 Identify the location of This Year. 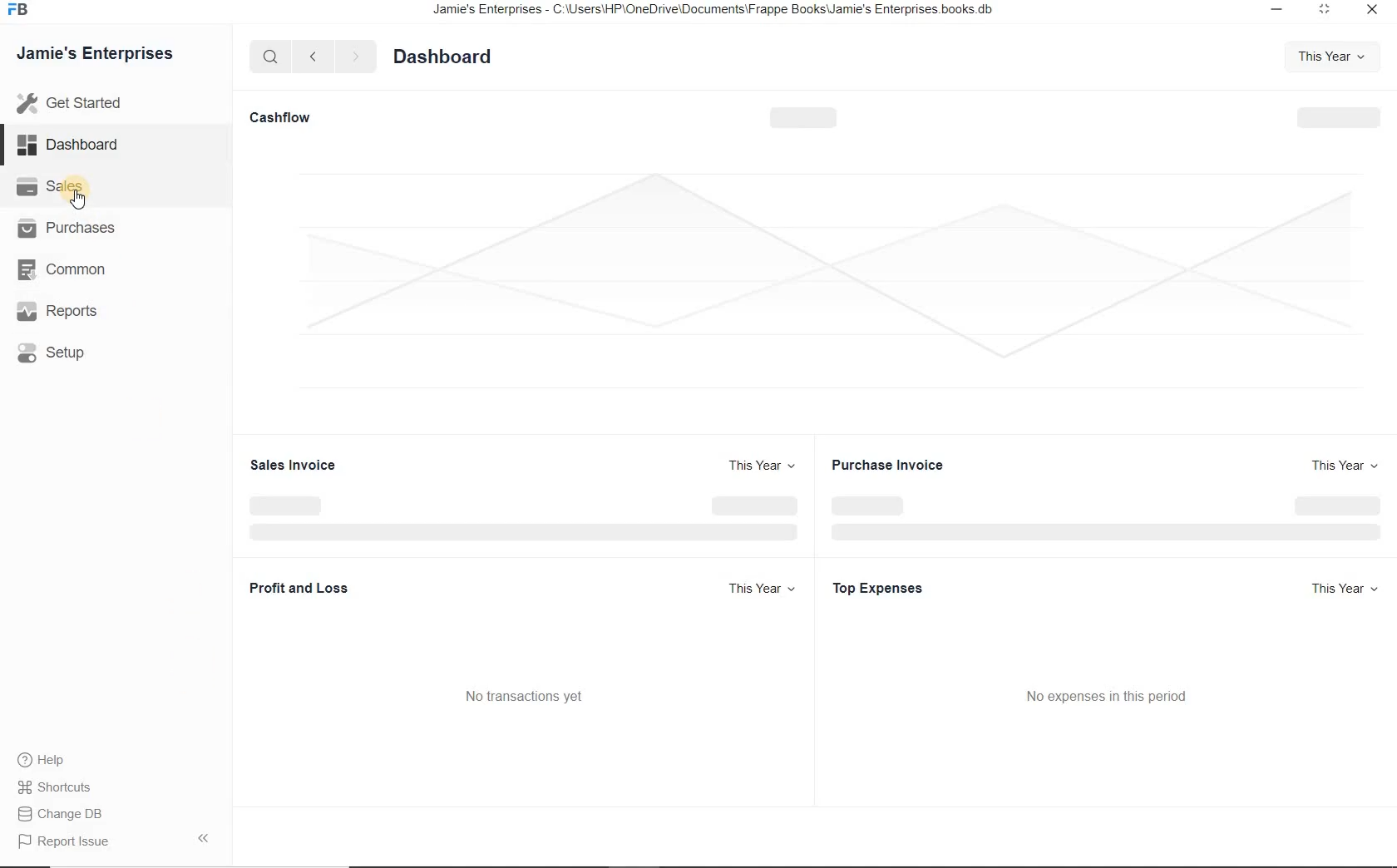
(756, 589).